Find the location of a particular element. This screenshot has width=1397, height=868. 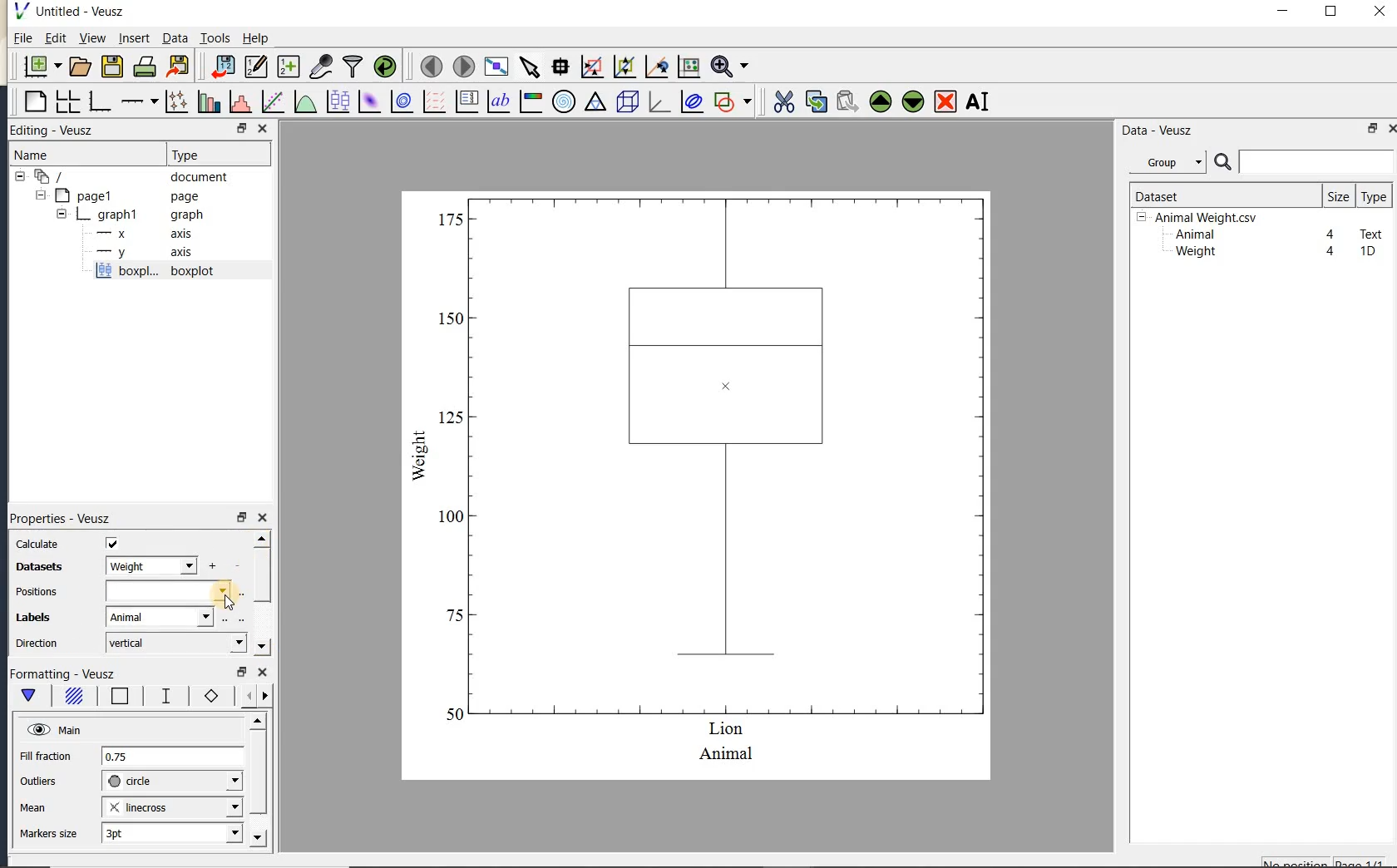

import data into Veusz is located at coordinates (223, 67).